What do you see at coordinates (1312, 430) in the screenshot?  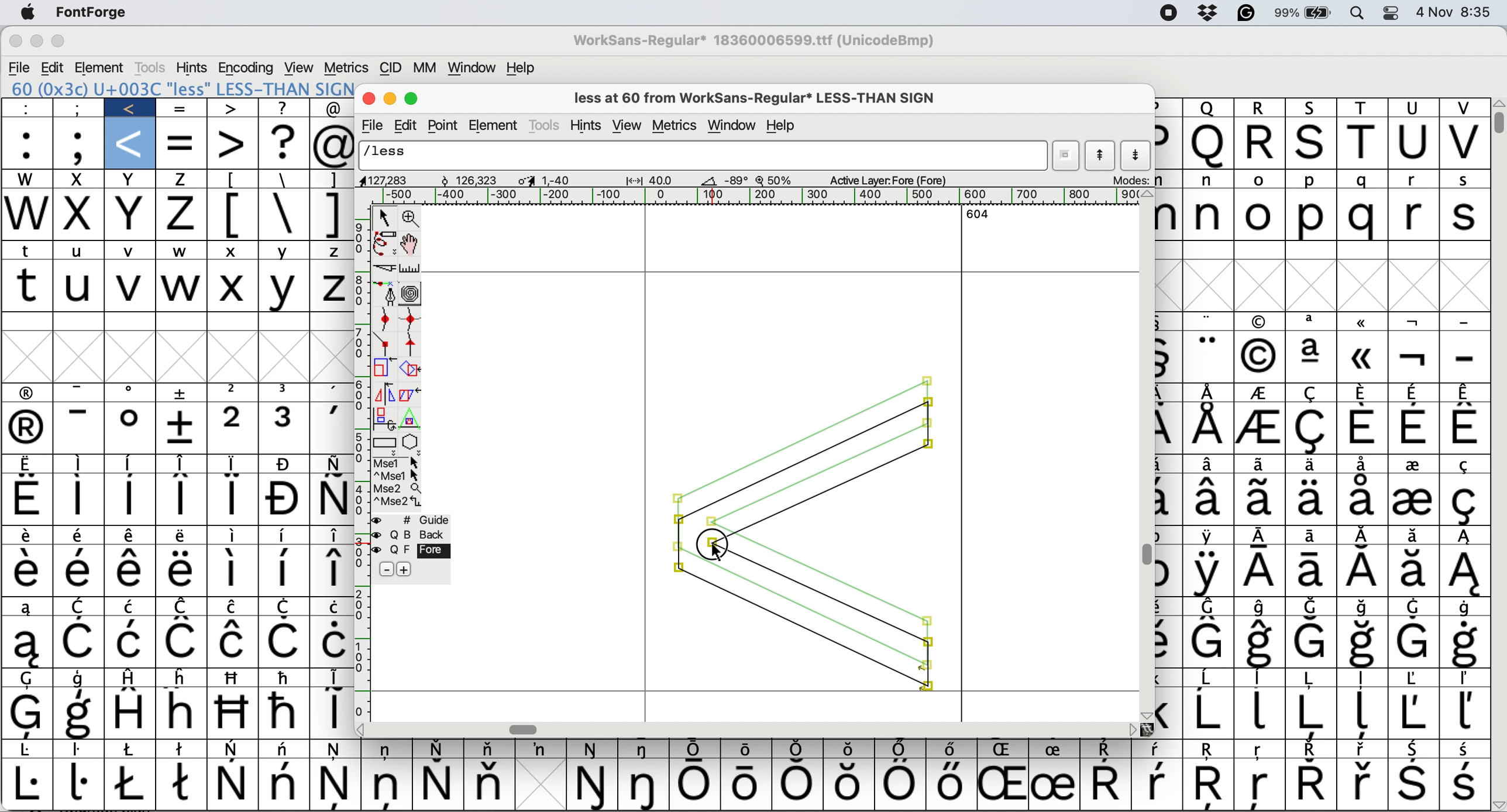 I see `Symbol` at bounding box center [1312, 430].